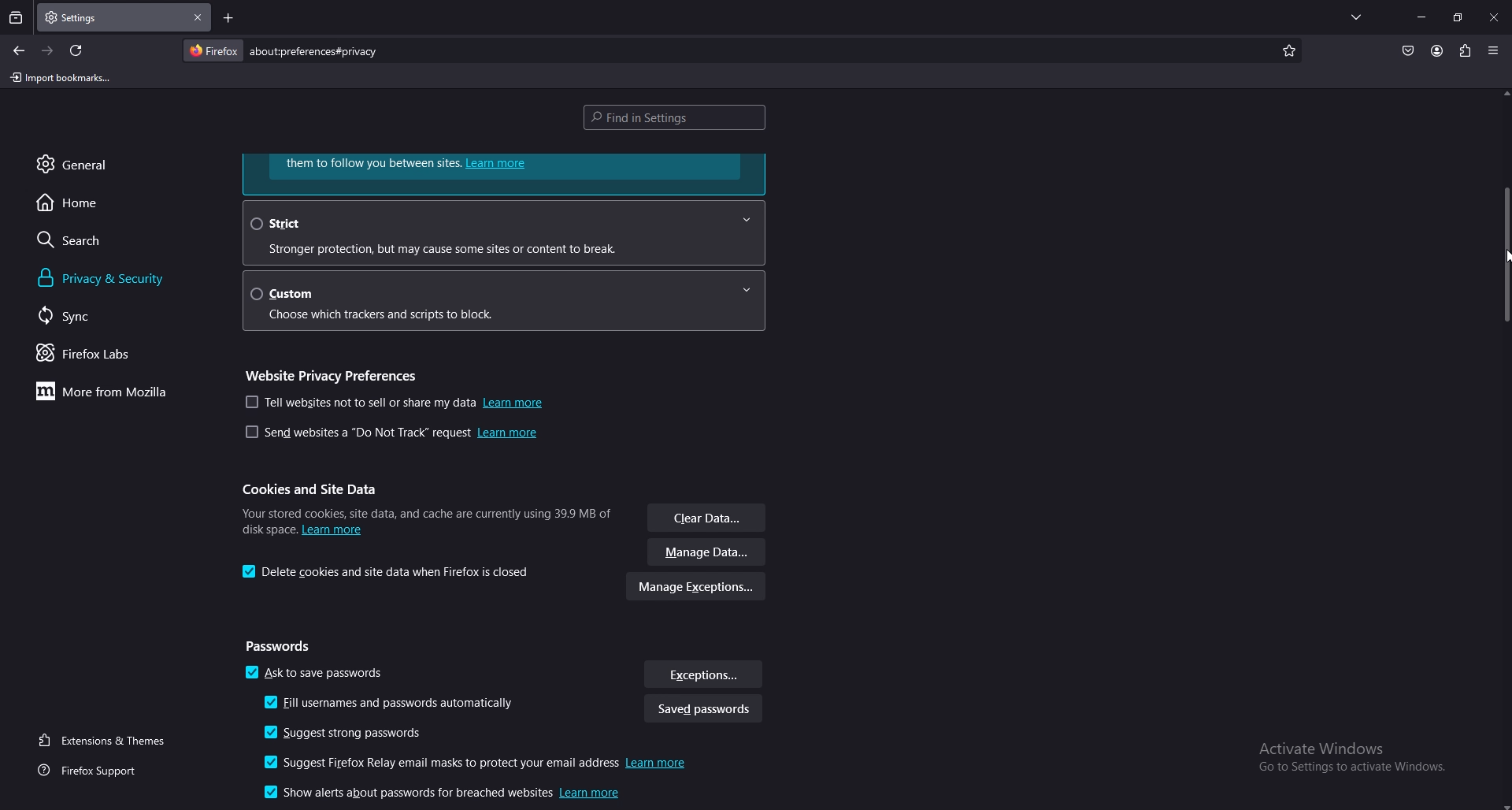 This screenshot has height=810, width=1512. What do you see at coordinates (1503, 94) in the screenshot?
I see `scroll up` at bounding box center [1503, 94].